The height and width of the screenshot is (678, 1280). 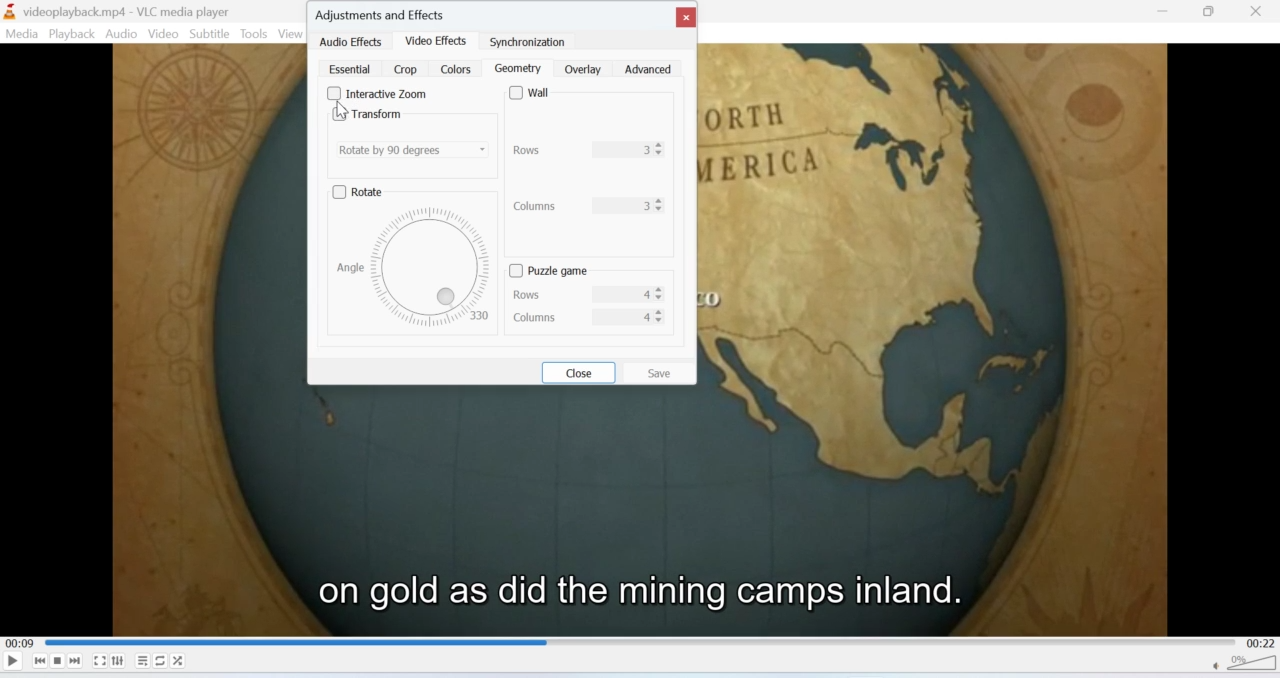 What do you see at coordinates (117, 13) in the screenshot?
I see `videoplayback.mp4-VLC media player` at bounding box center [117, 13].